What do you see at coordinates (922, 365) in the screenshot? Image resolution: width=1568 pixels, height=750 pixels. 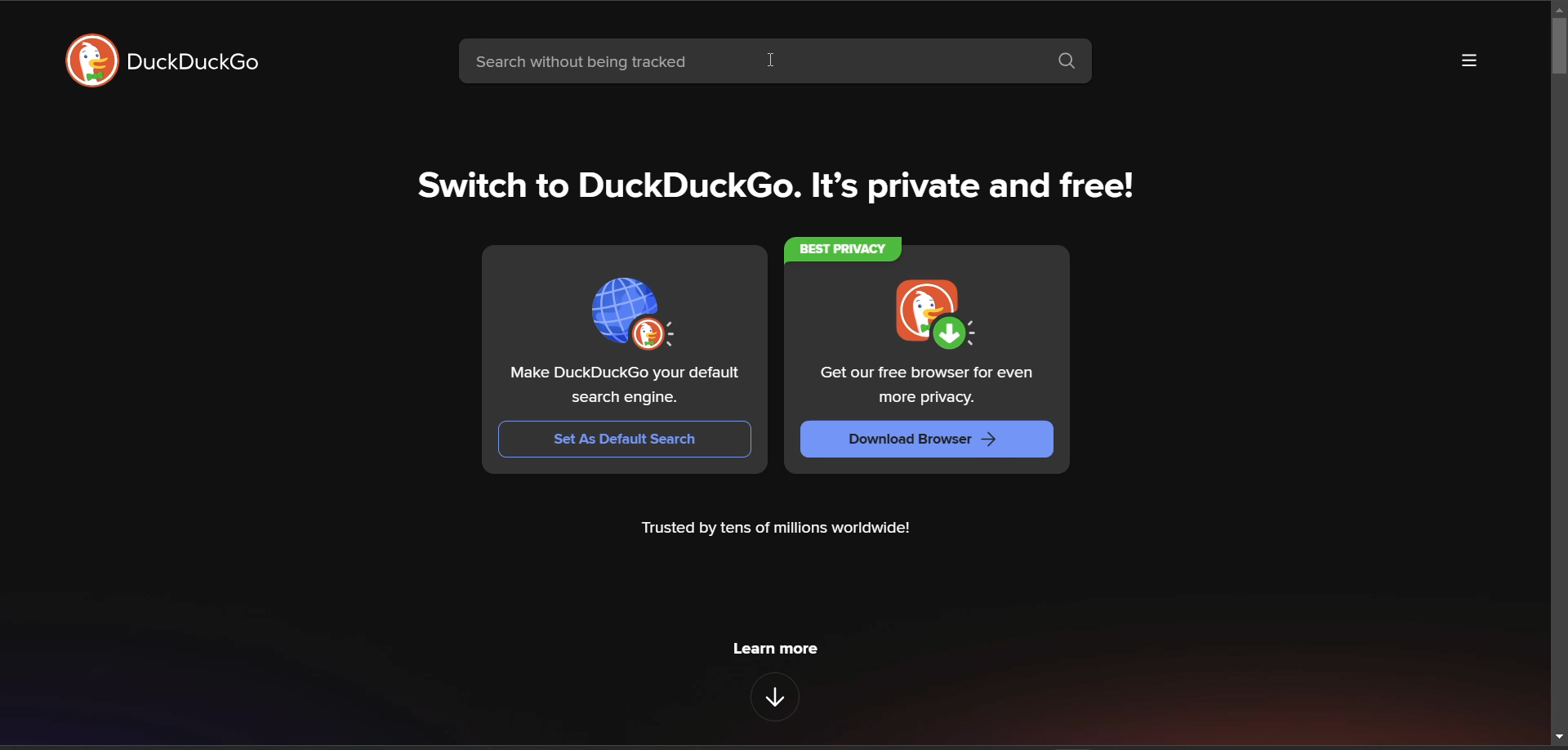 I see `Get our free browser for even
more privacy.
Download Browser —>` at bounding box center [922, 365].